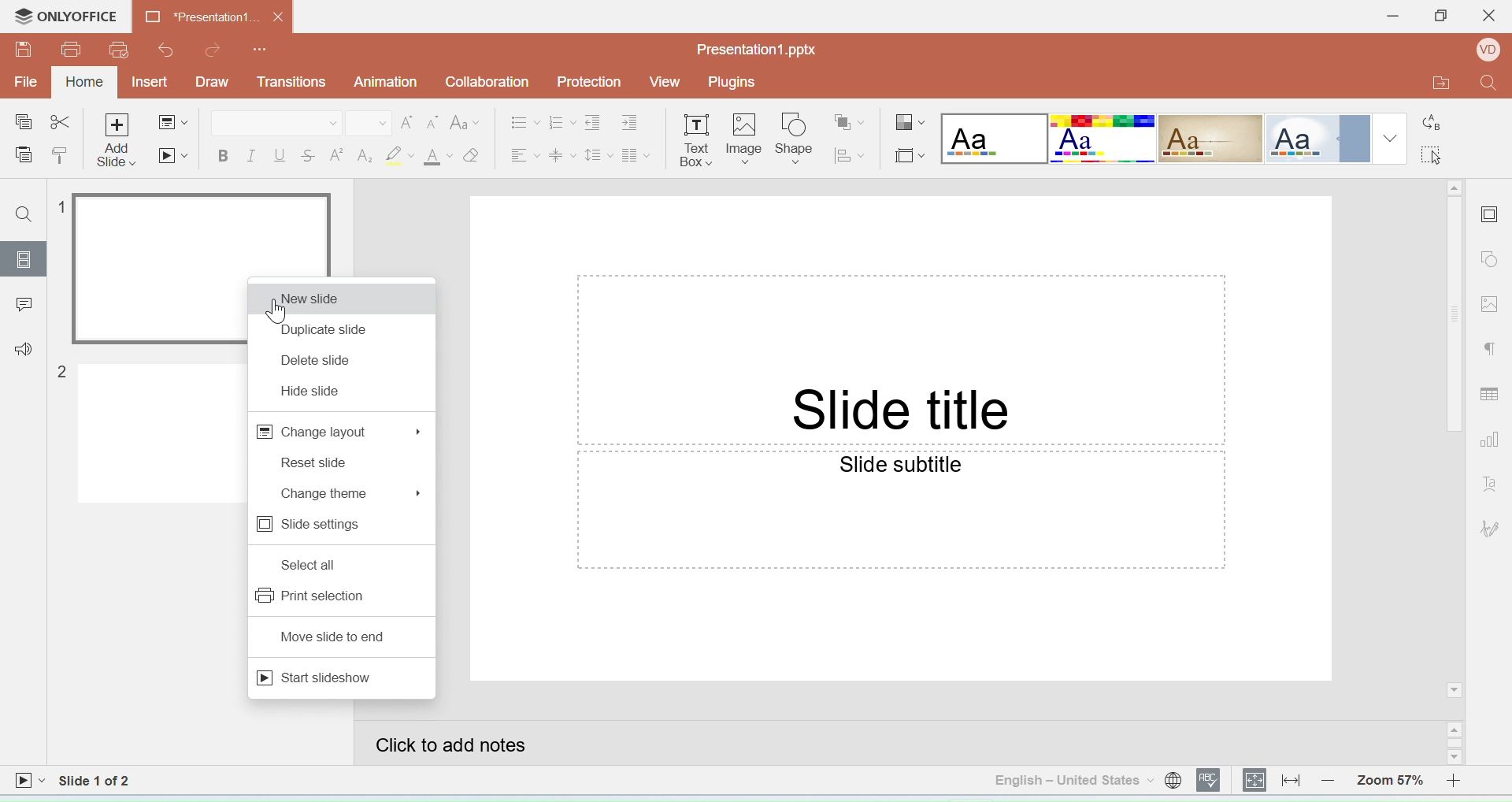 This screenshot has height=802, width=1512. Describe the element at coordinates (1433, 117) in the screenshot. I see `Replace` at that location.